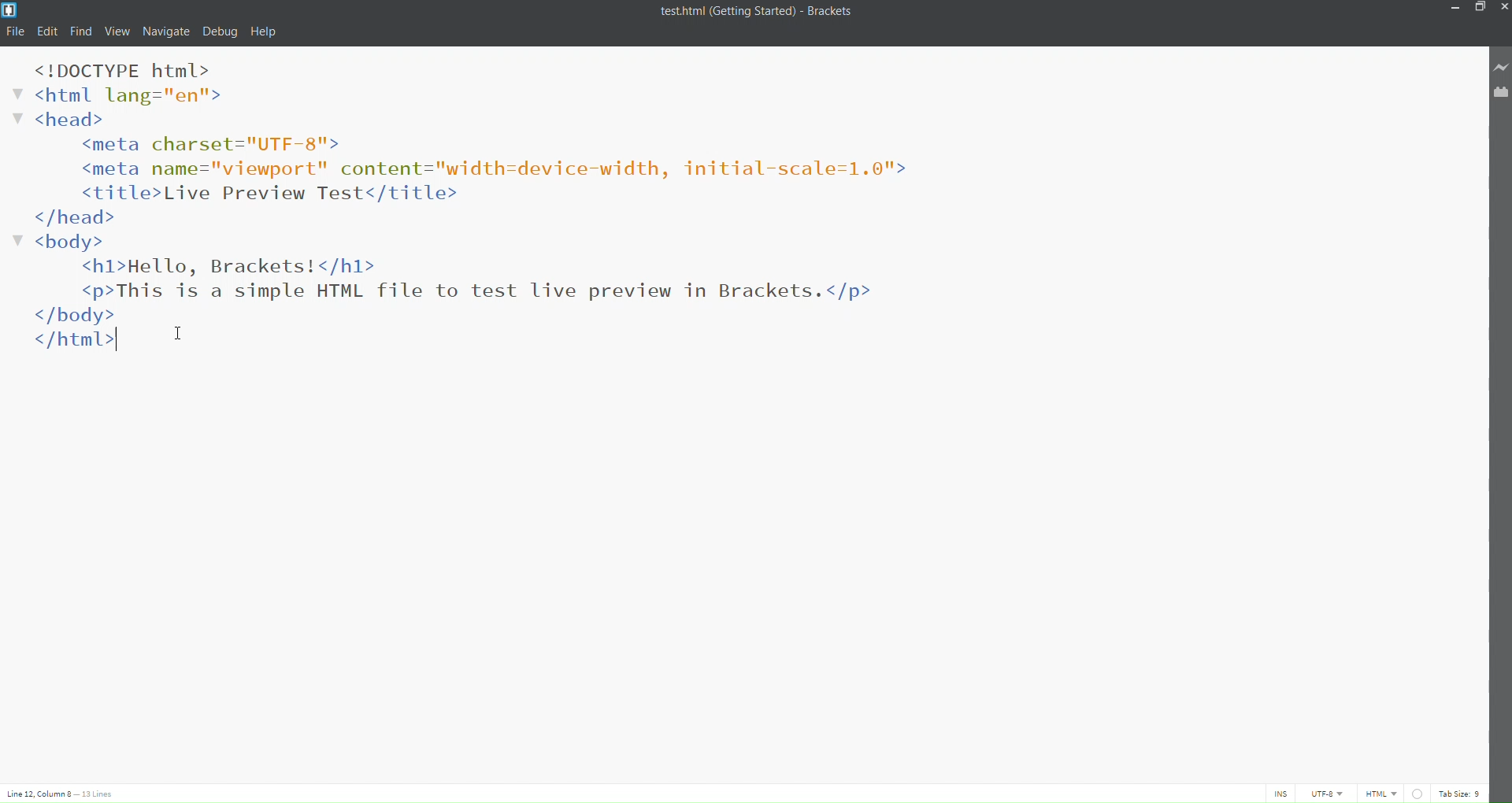 Image resolution: width=1512 pixels, height=803 pixels. I want to click on UTF-8, so click(1326, 793).